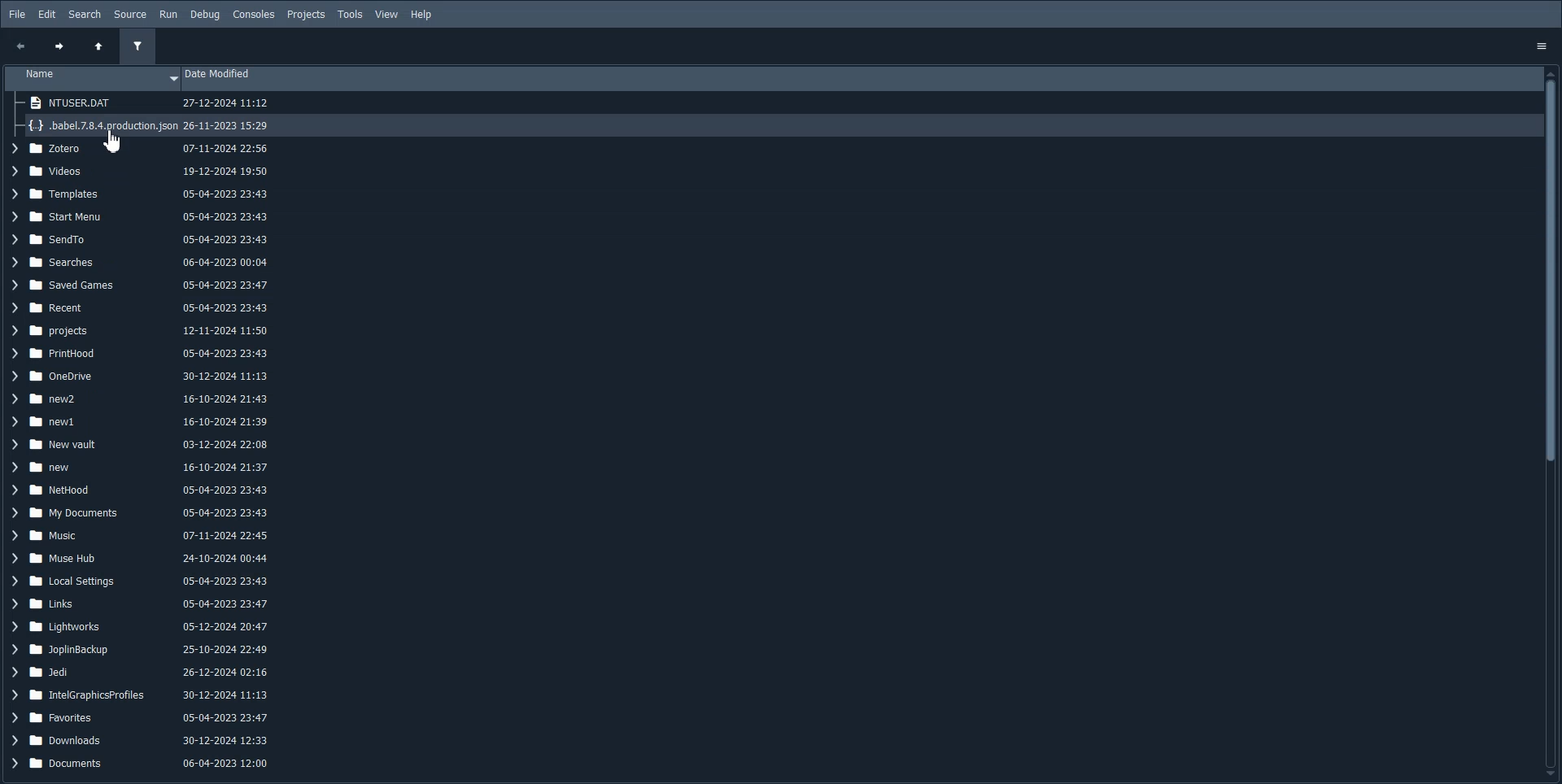 The height and width of the screenshot is (784, 1562). Describe the element at coordinates (137, 47) in the screenshot. I see `Filter` at that location.